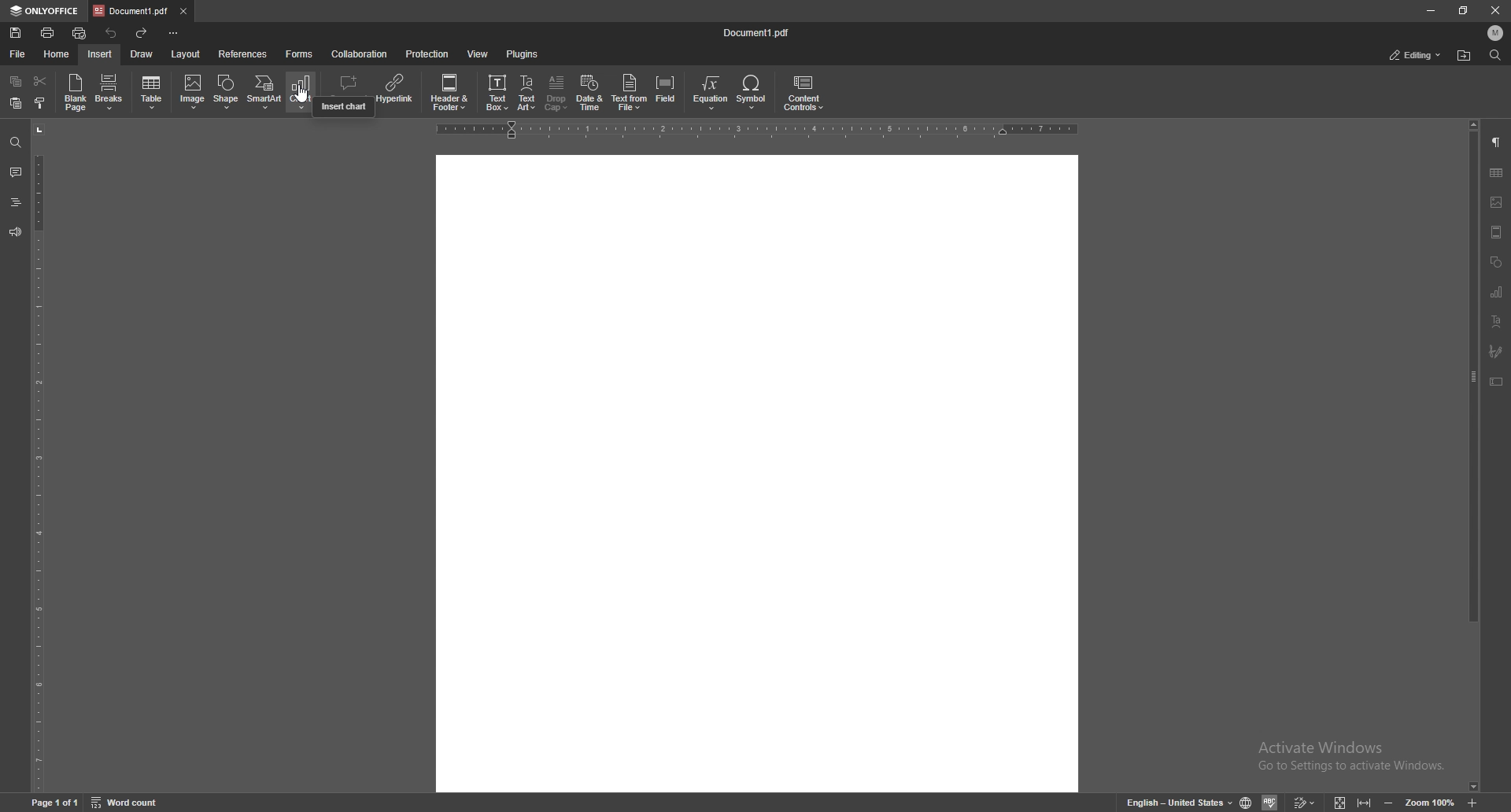 Image resolution: width=1511 pixels, height=812 pixels. Describe the element at coordinates (18, 54) in the screenshot. I see `file` at that location.